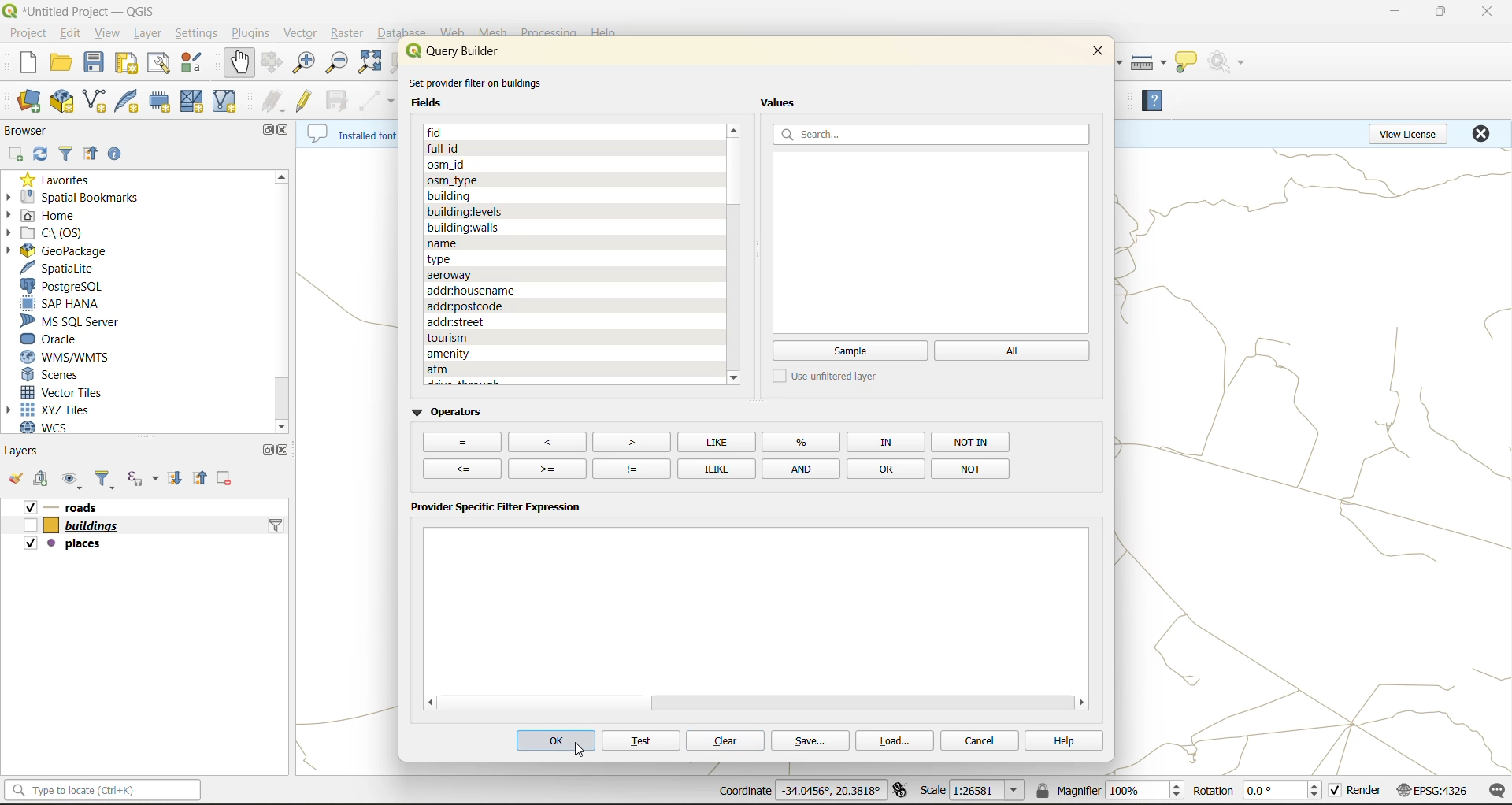 The width and height of the screenshot is (1512, 805). What do you see at coordinates (469, 210) in the screenshot?
I see `fields` at bounding box center [469, 210].